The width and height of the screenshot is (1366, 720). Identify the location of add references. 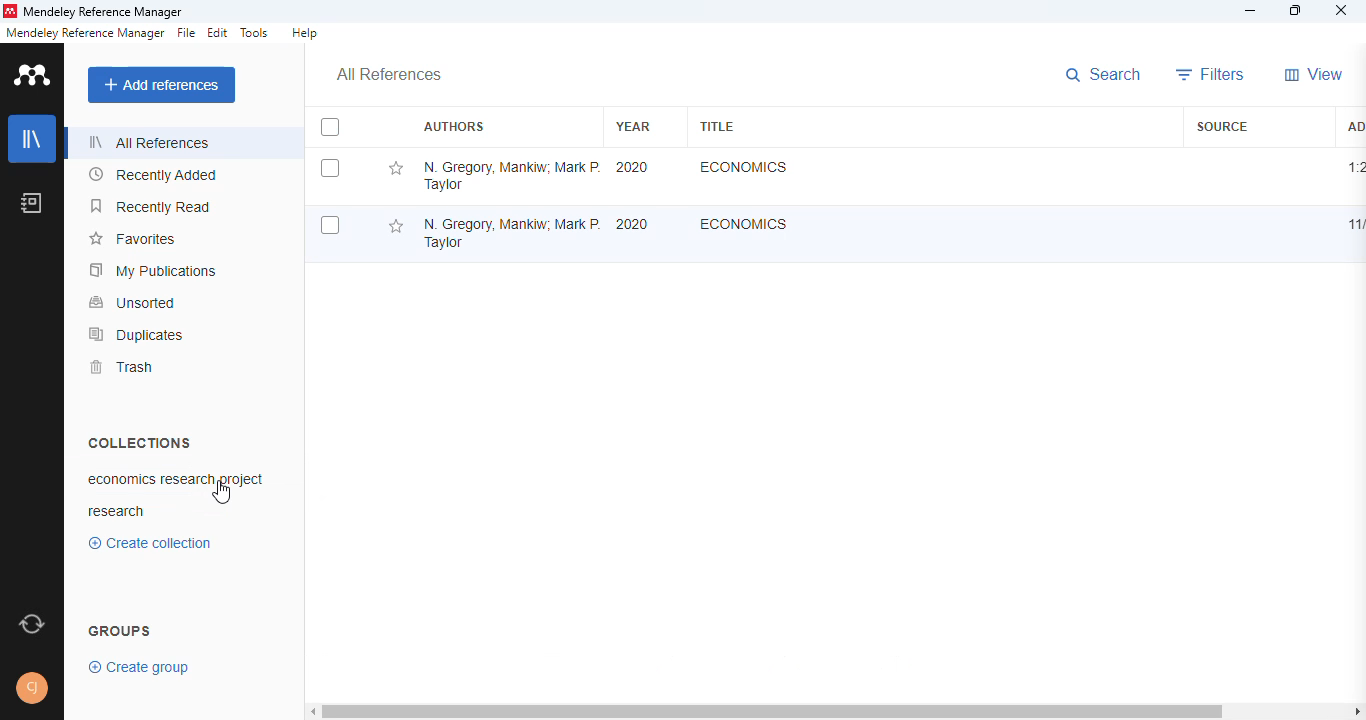
(162, 85).